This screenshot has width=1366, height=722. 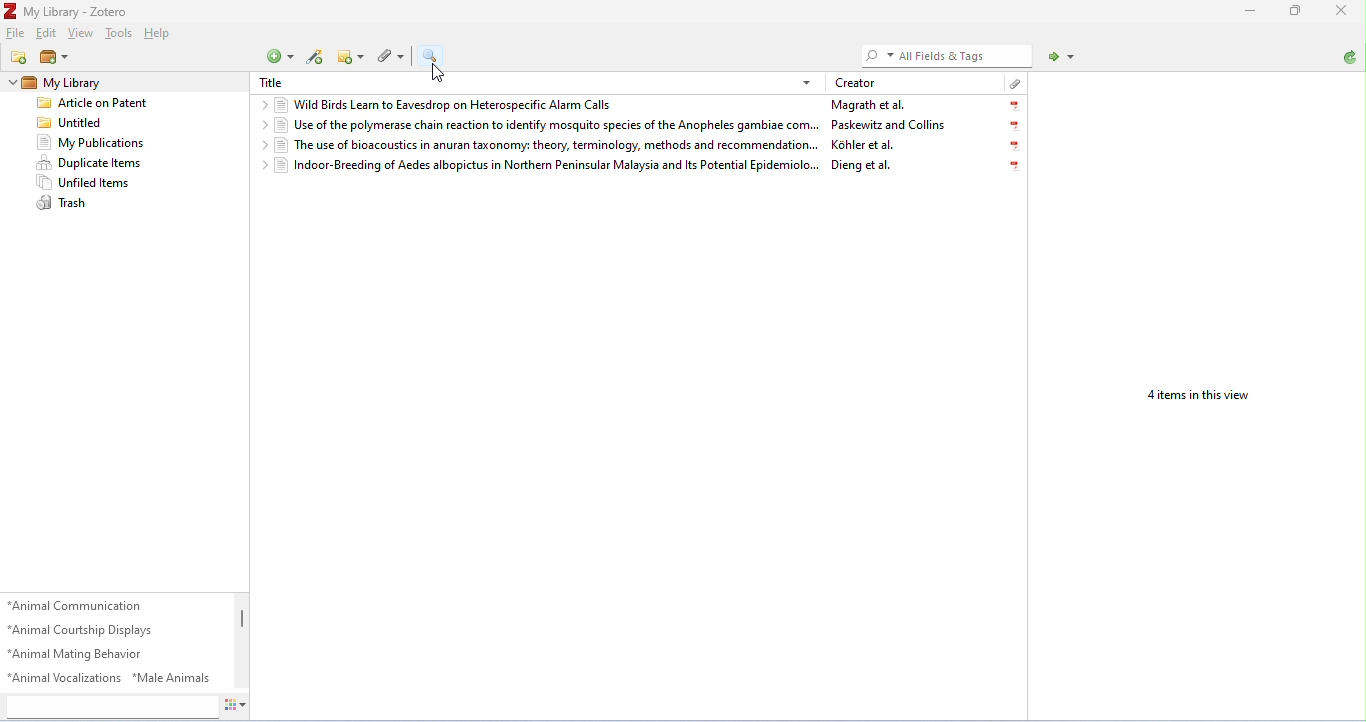 What do you see at coordinates (63, 204) in the screenshot?
I see `trash` at bounding box center [63, 204].